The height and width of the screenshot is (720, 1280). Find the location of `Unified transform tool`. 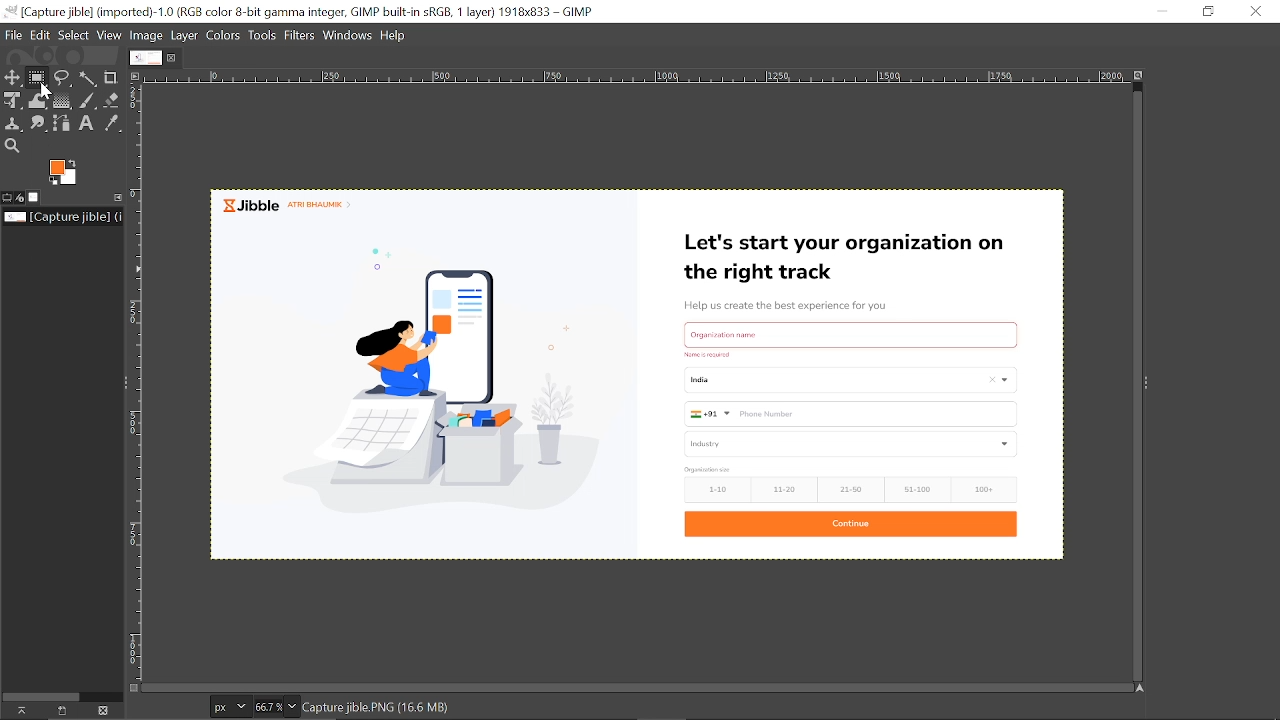

Unified transform tool is located at coordinates (11, 99).